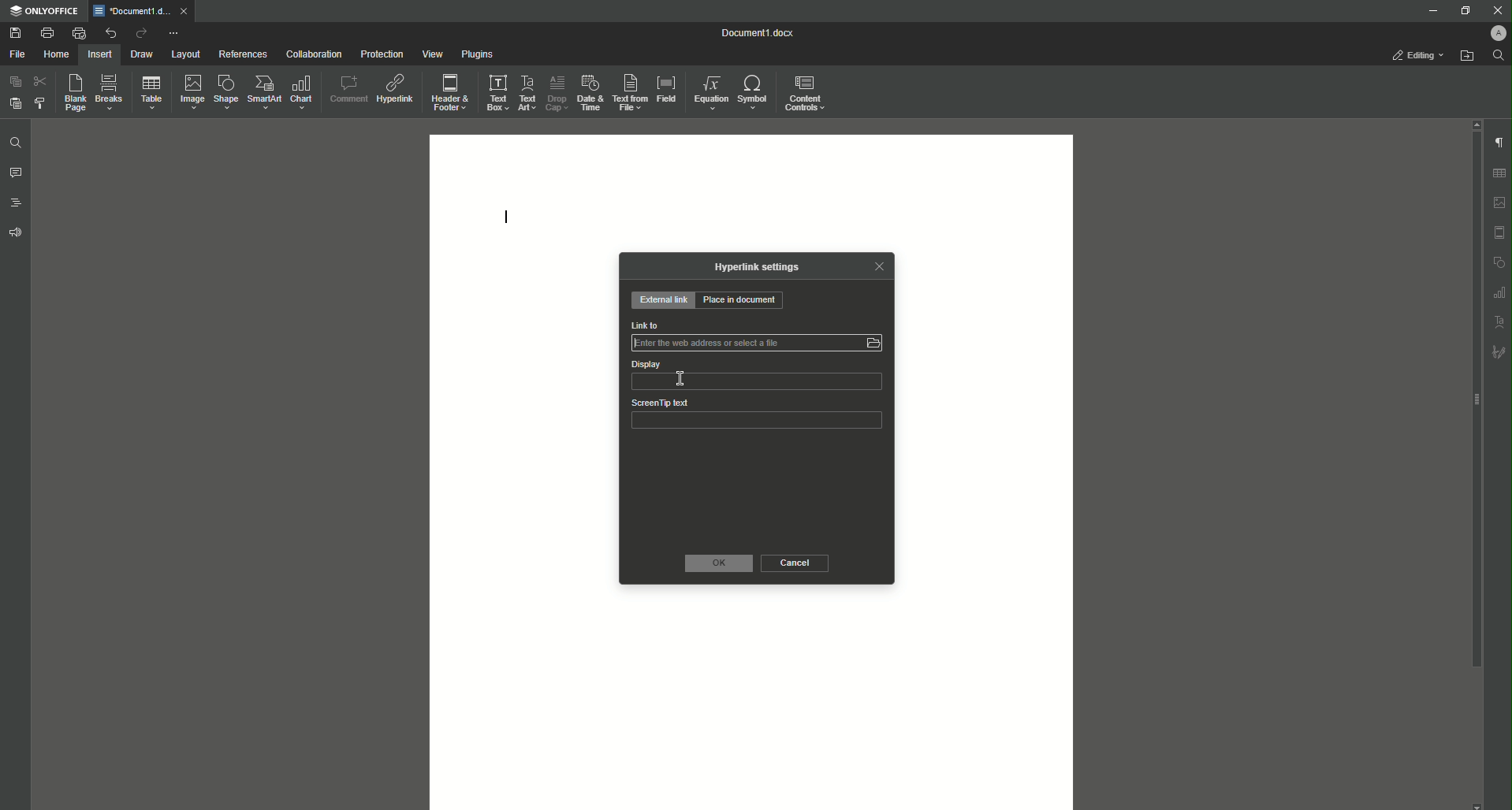 The height and width of the screenshot is (810, 1512). What do you see at coordinates (346, 91) in the screenshot?
I see `Comment` at bounding box center [346, 91].